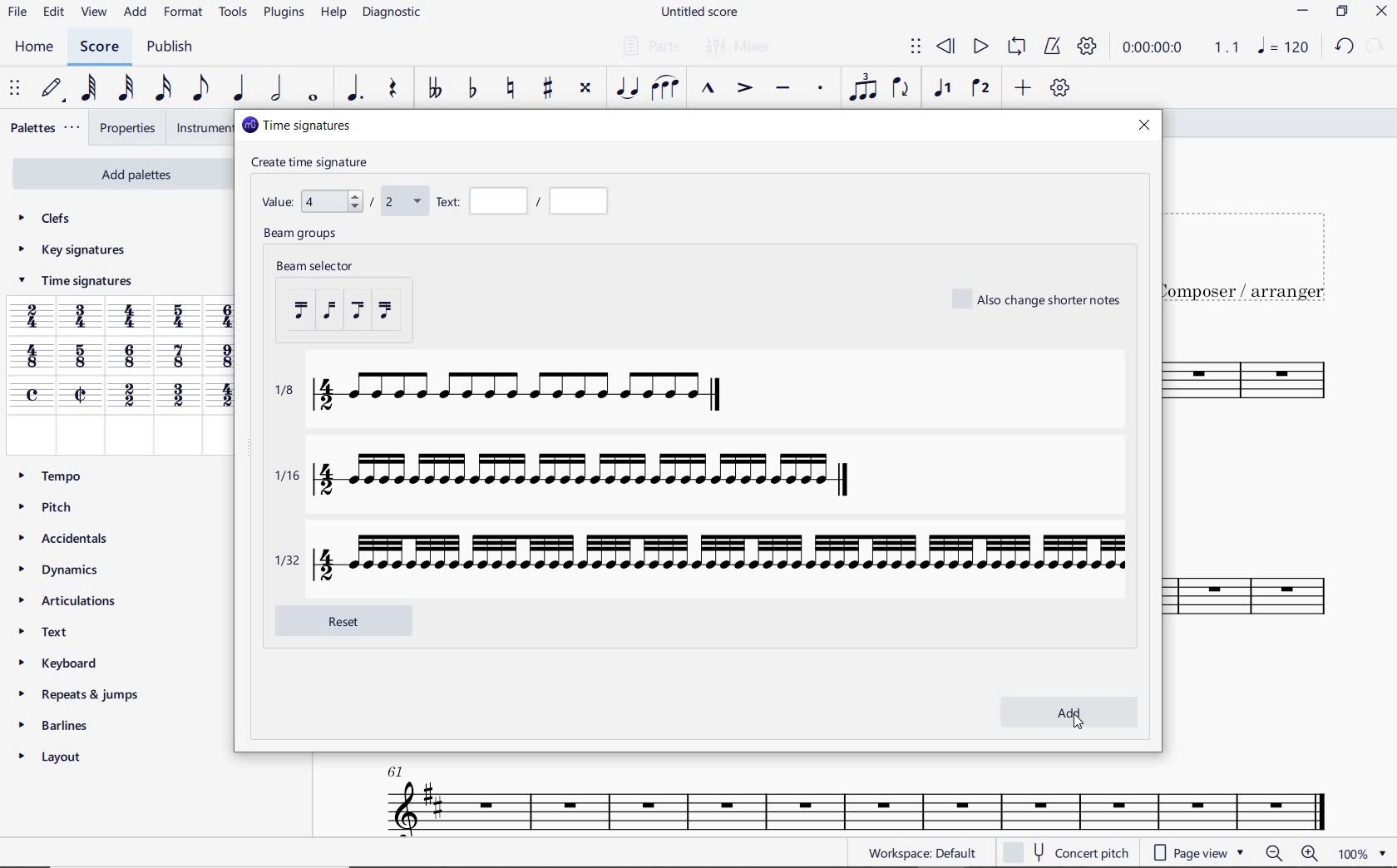 The height and width of the screenshot is (868, 1397). I want to click on SELECET TO MOVE, so click(17, 90).